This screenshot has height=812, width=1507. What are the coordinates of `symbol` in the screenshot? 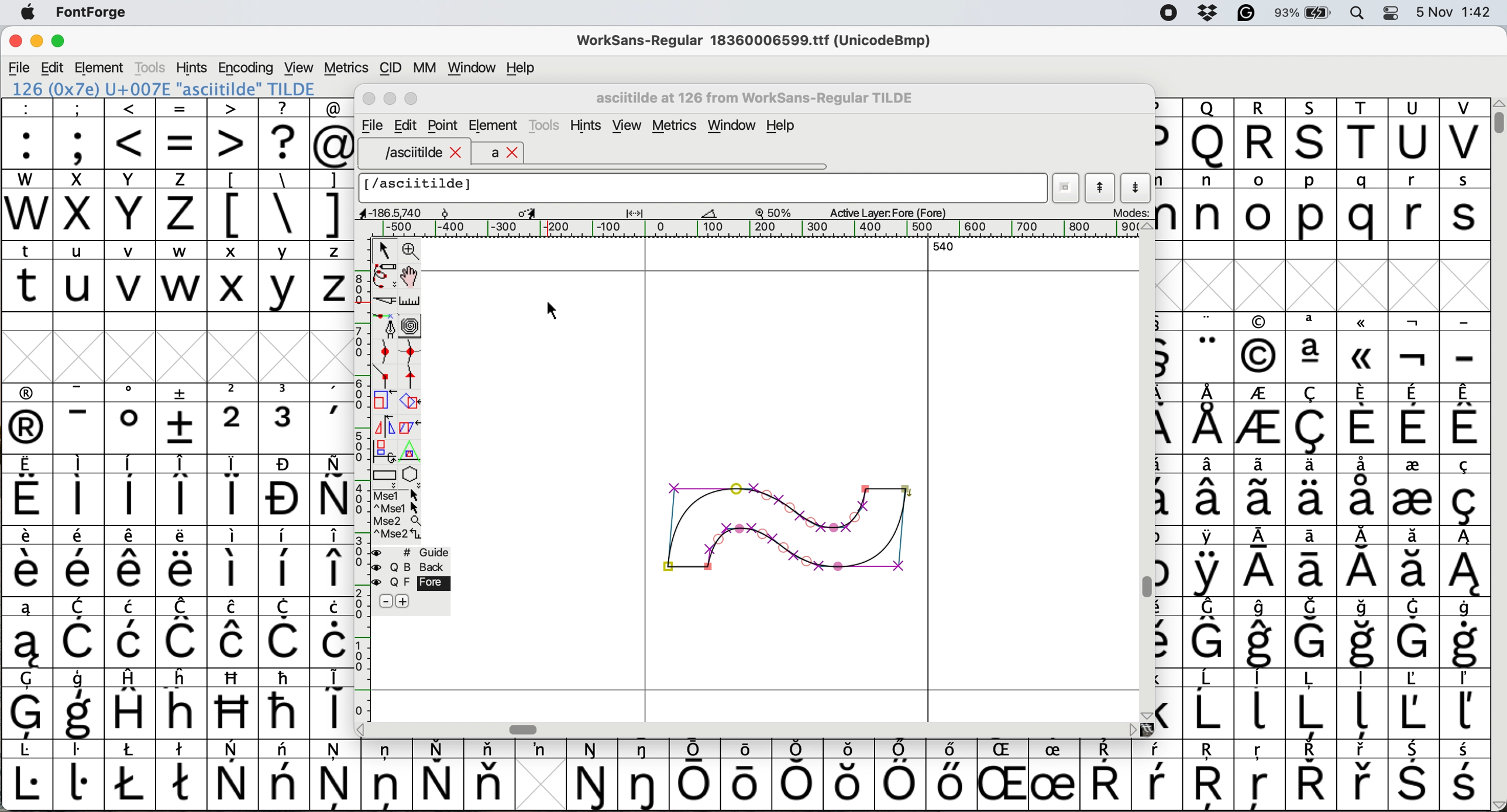 It's located at (1105, 776).